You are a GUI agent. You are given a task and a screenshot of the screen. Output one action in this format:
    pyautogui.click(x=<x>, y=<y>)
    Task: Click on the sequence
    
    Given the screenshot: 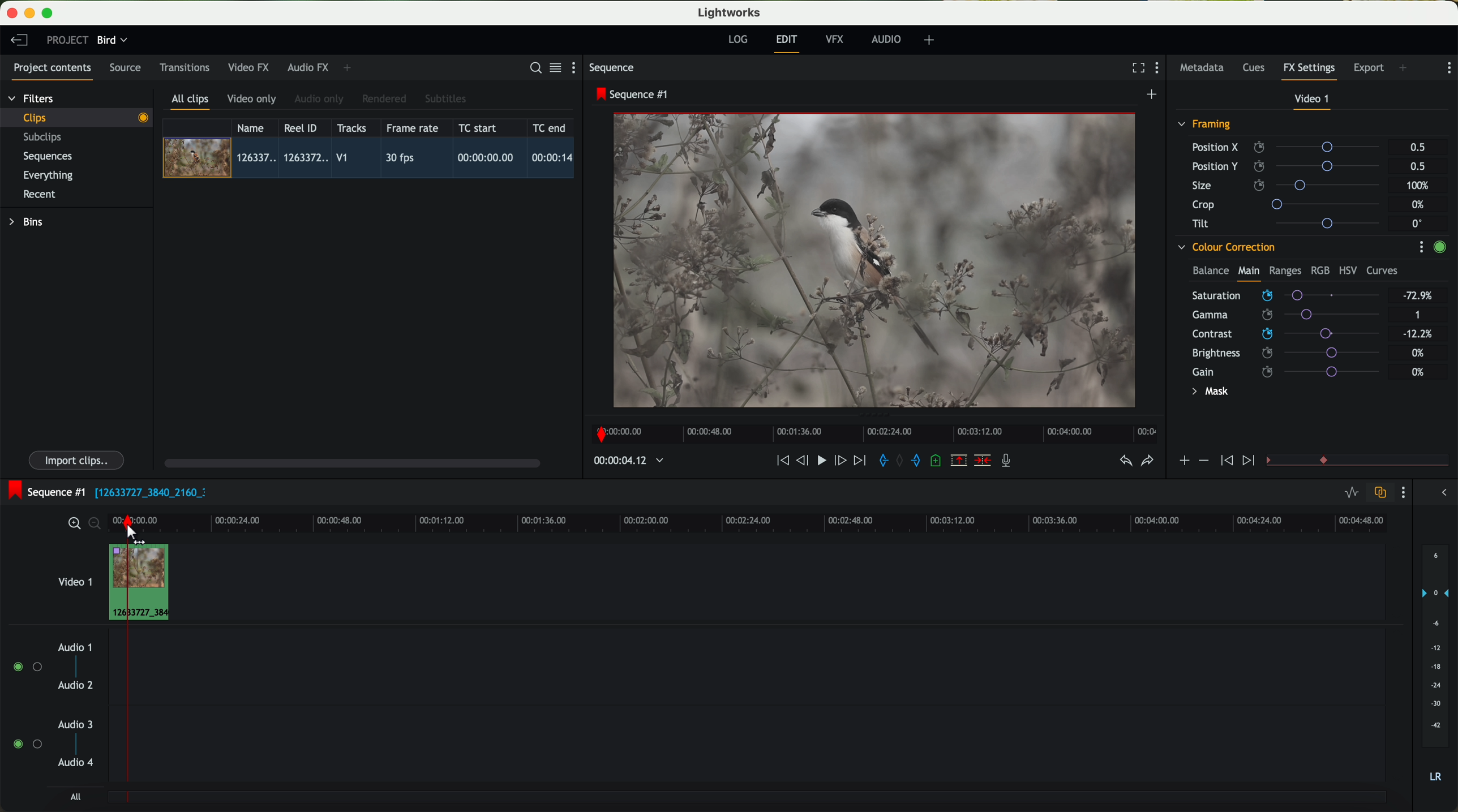 What is the action you would take?
    pyautogui.click(x=612, y=68)
    